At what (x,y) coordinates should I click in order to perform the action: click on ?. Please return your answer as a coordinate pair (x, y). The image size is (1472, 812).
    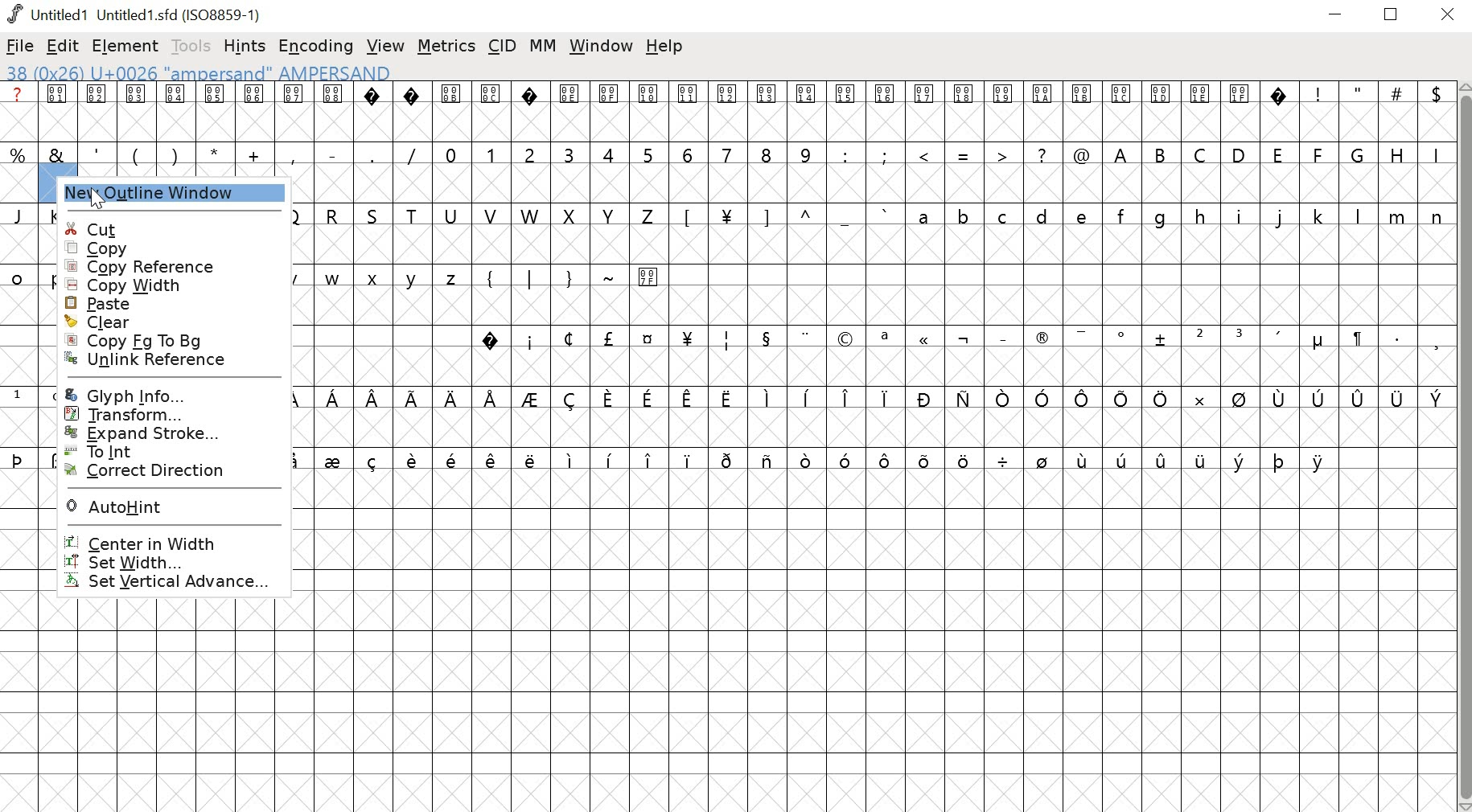
    Looking at the image, I should click on (491, 337).